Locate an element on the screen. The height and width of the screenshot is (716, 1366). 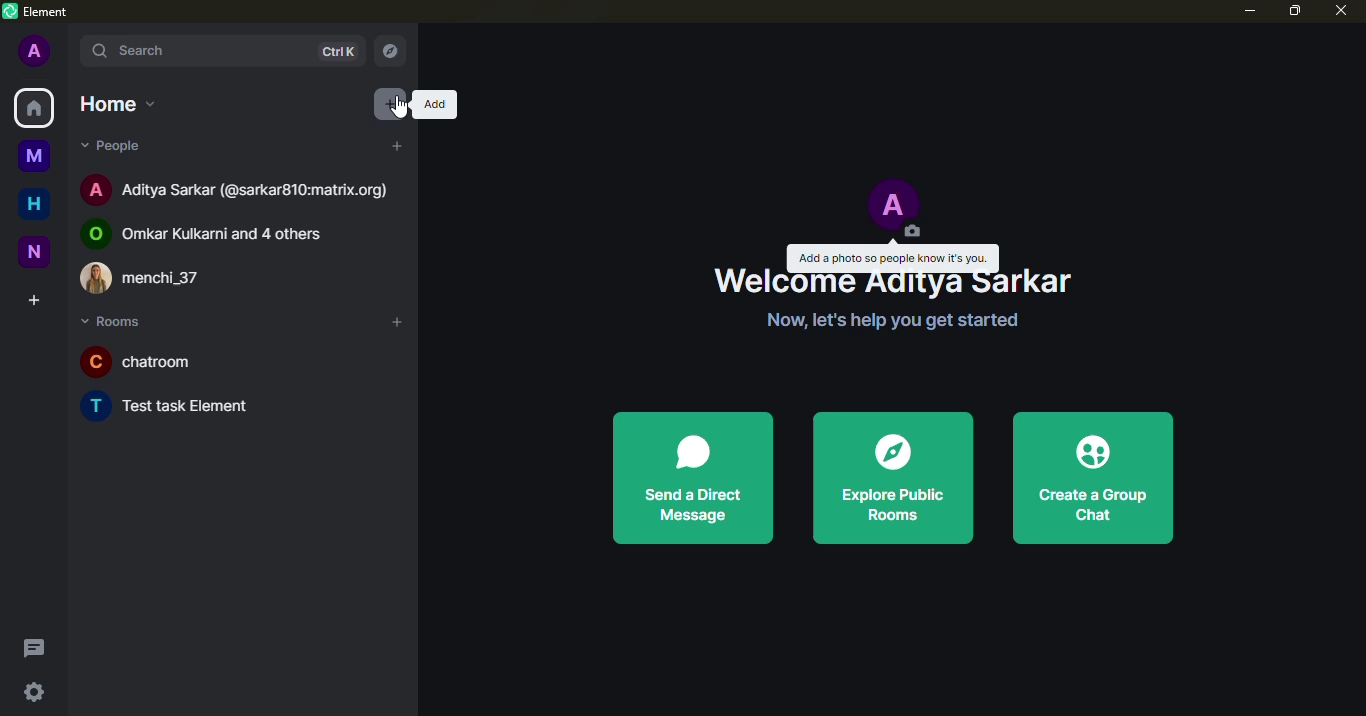
Aditya Sarkar (@sarkar810:matrix.org) is located at coordinates (234, 190).